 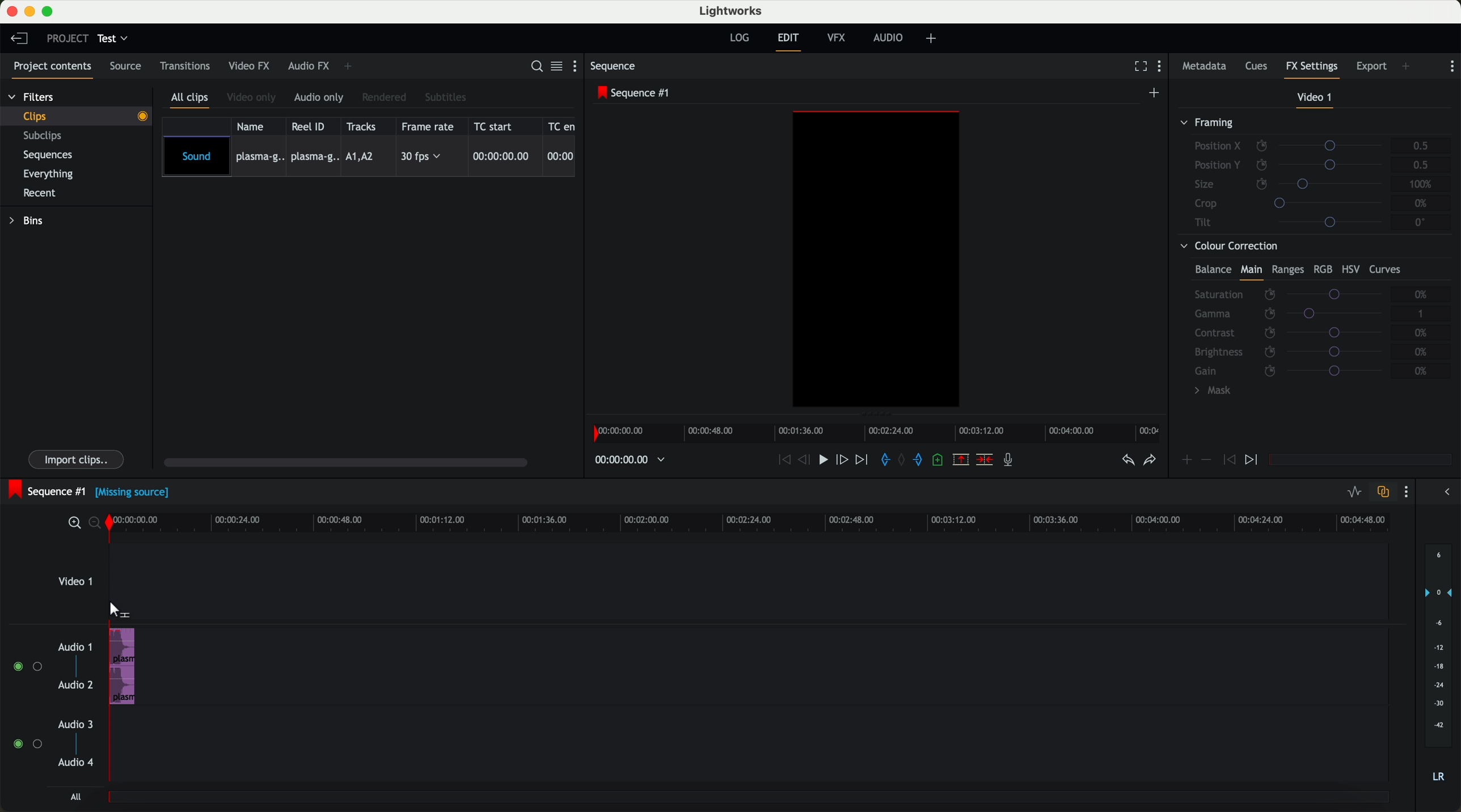 I want to click on add keyframe at the current position, so click(x=1187, y=460).